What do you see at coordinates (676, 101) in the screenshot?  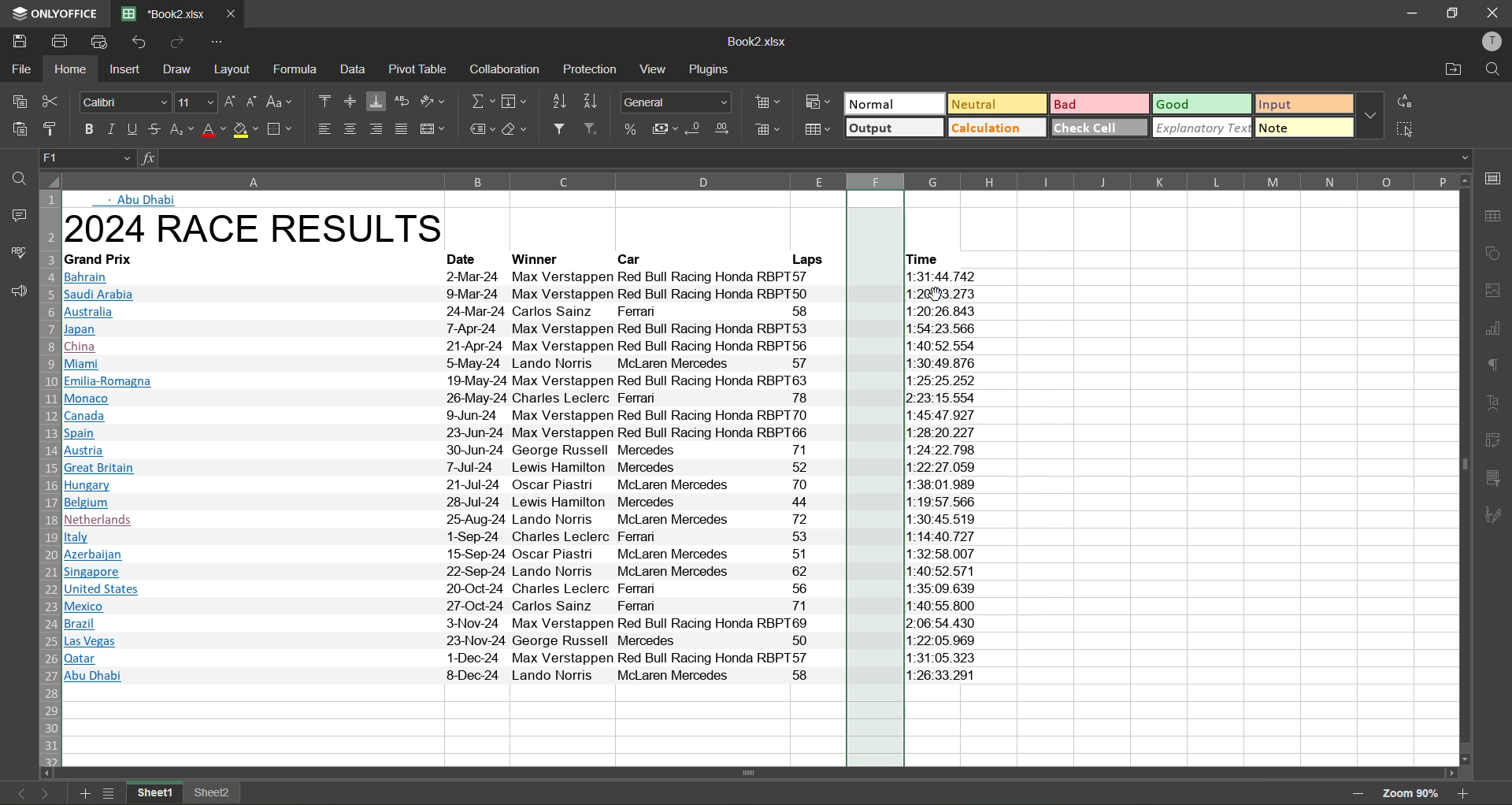 I see `number format` at bounding box center [676, 101].